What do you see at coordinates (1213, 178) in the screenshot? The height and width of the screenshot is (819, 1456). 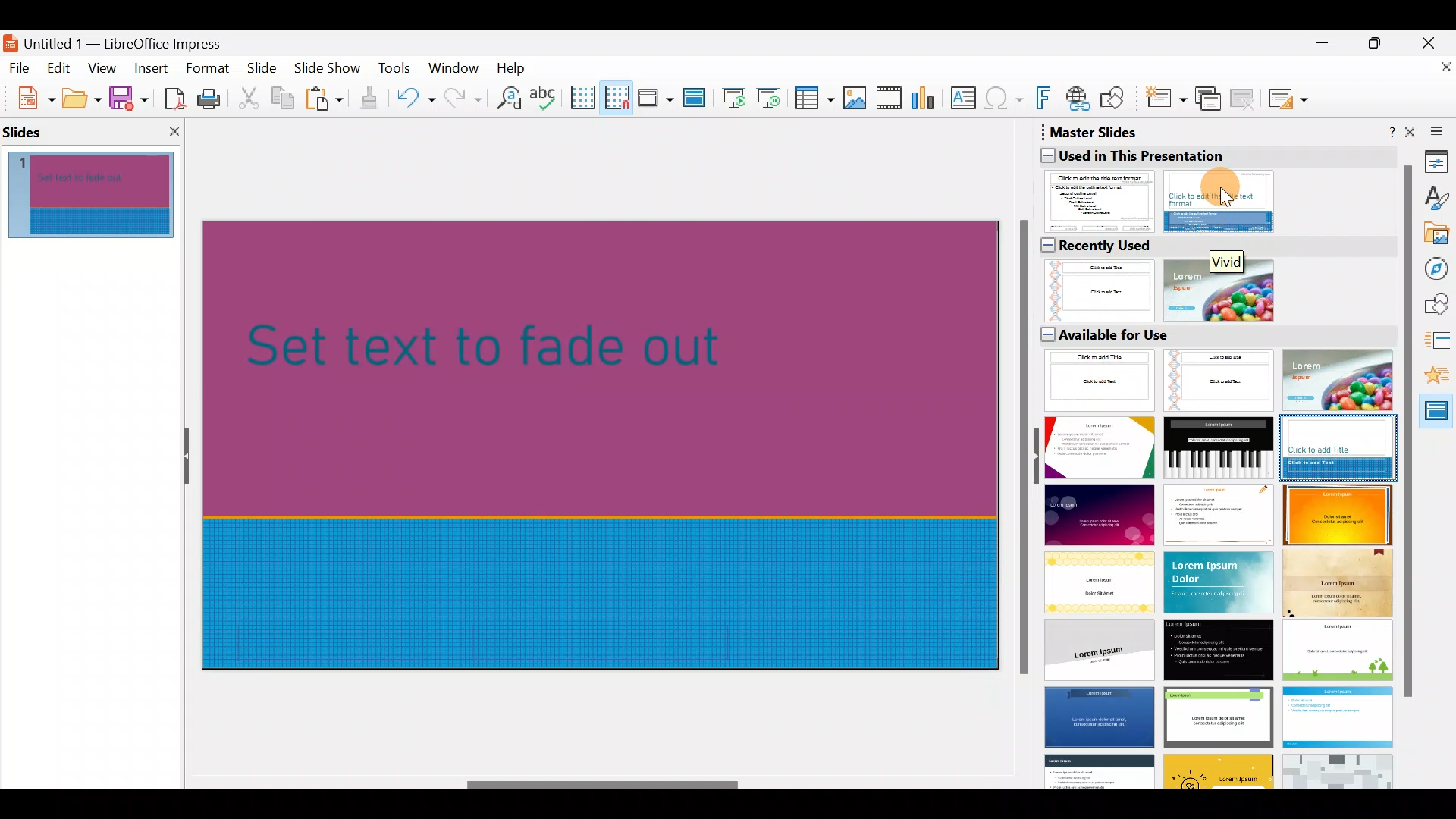 I see `Master slides used in this presentation` at bounding box center [1213, 178].